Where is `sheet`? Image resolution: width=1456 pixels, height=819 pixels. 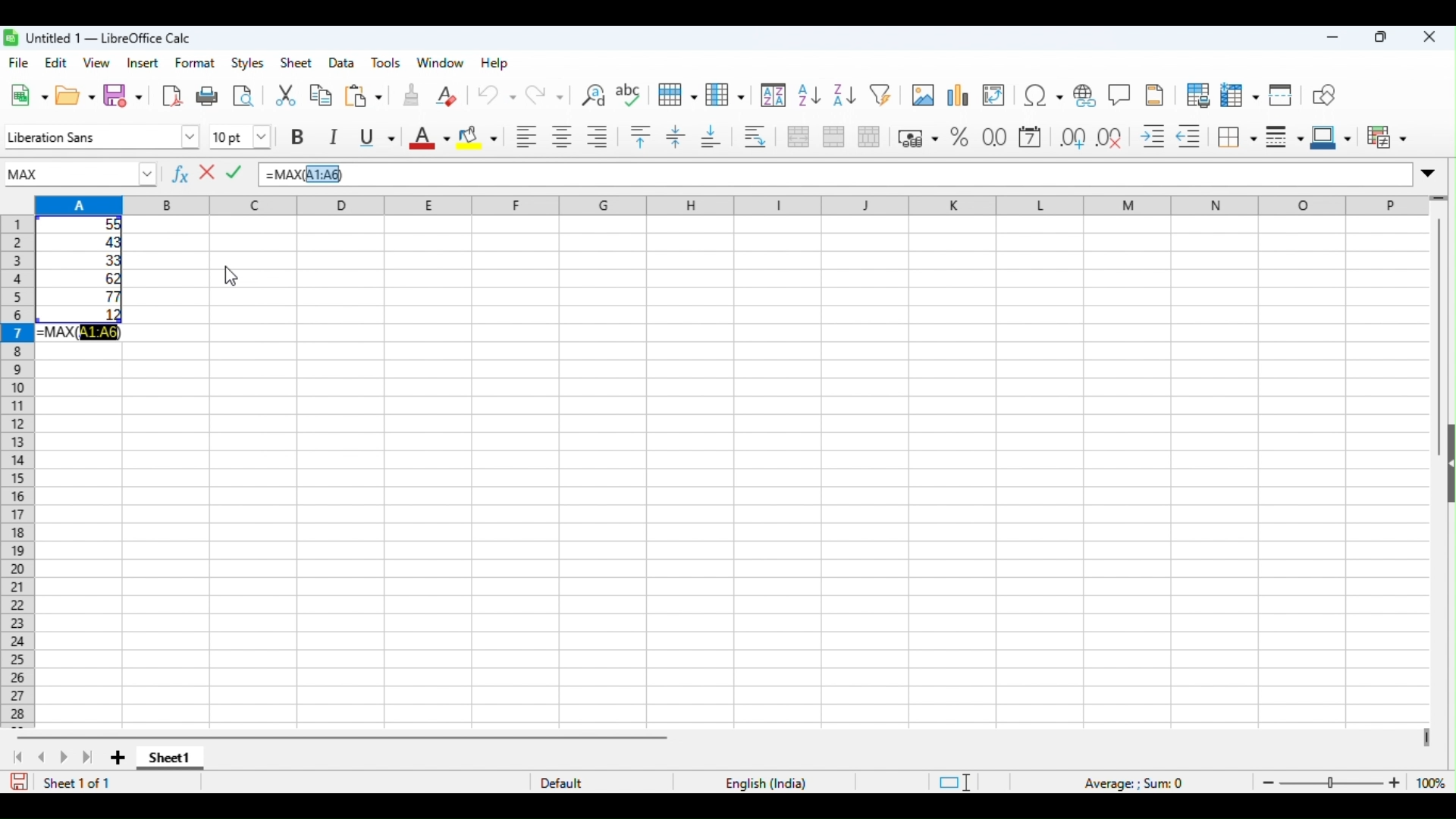
sheet is located at coordinates (296, 63).